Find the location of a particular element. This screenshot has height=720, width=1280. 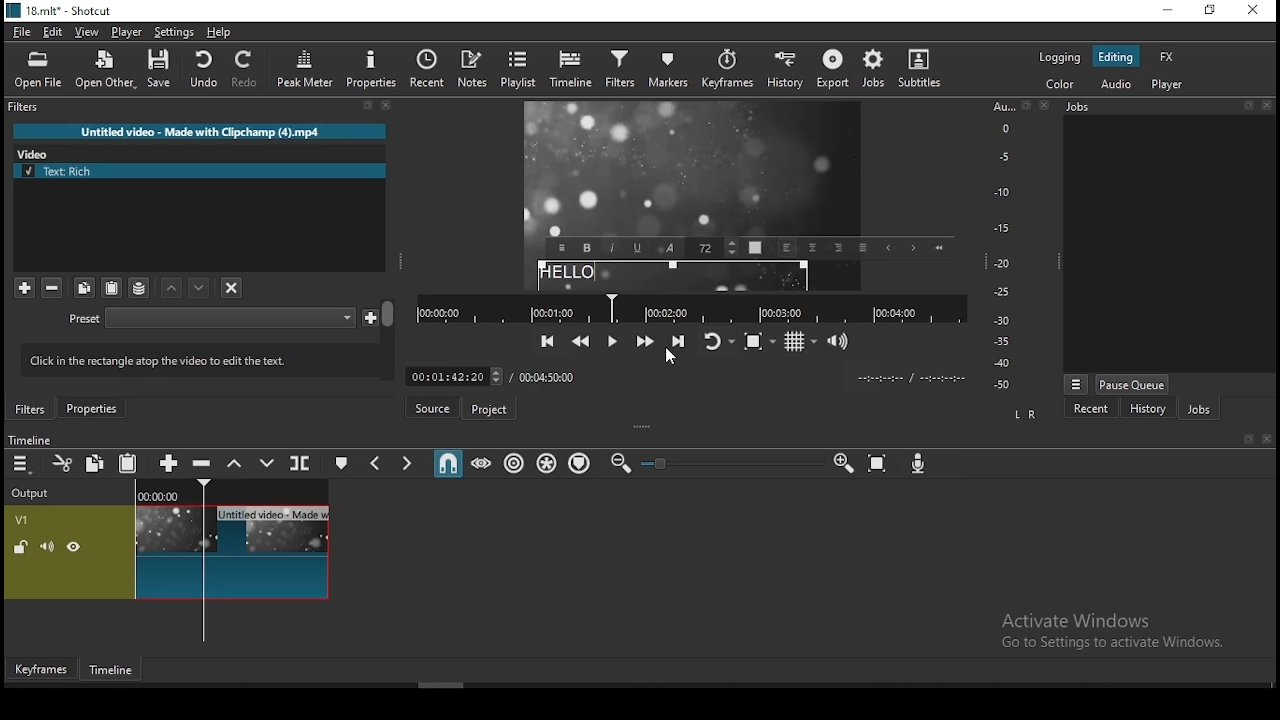

Left align is located at coordinates (788, 248).